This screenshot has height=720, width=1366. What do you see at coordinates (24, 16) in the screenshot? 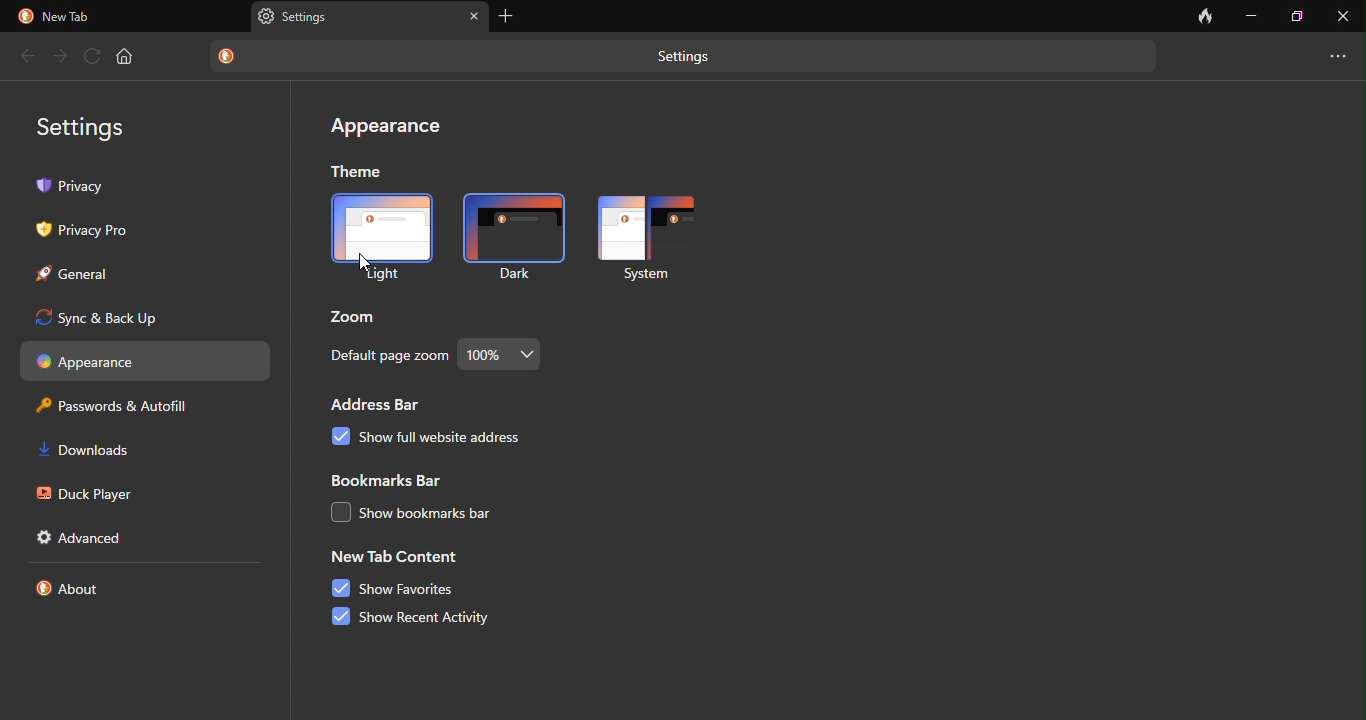
I see `duckduck go logo` at bounding box center [24, 16].